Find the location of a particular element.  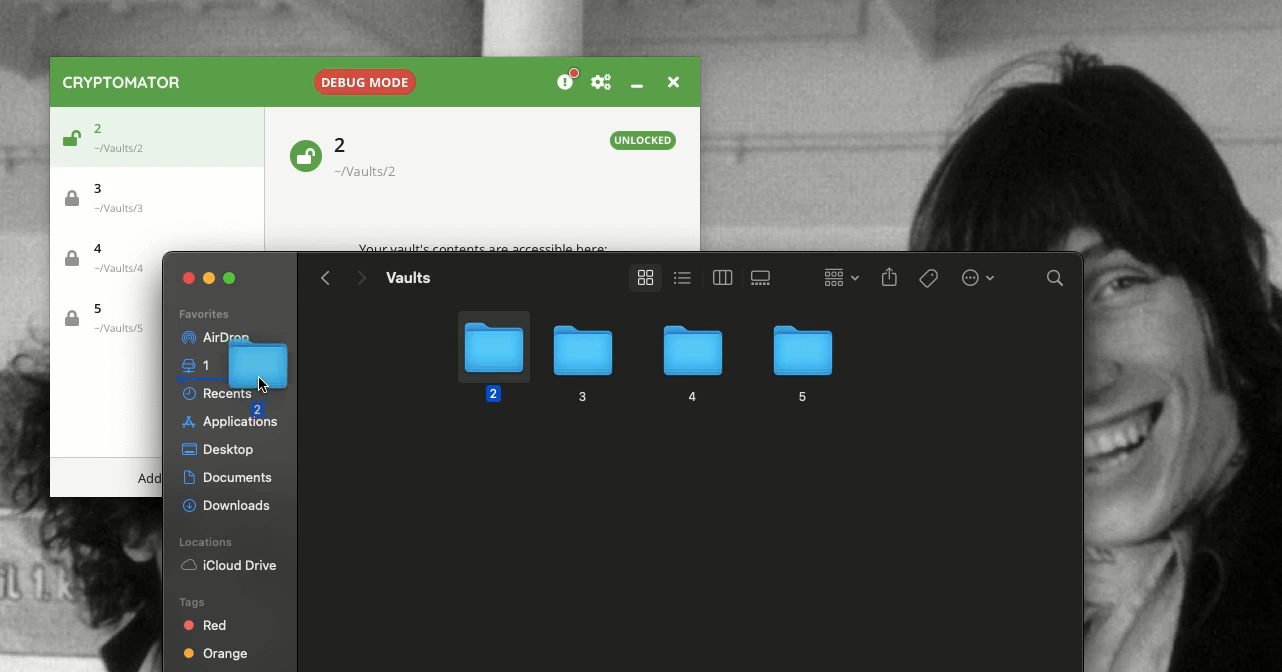

Debug mode is located at coordinates (362, 78).